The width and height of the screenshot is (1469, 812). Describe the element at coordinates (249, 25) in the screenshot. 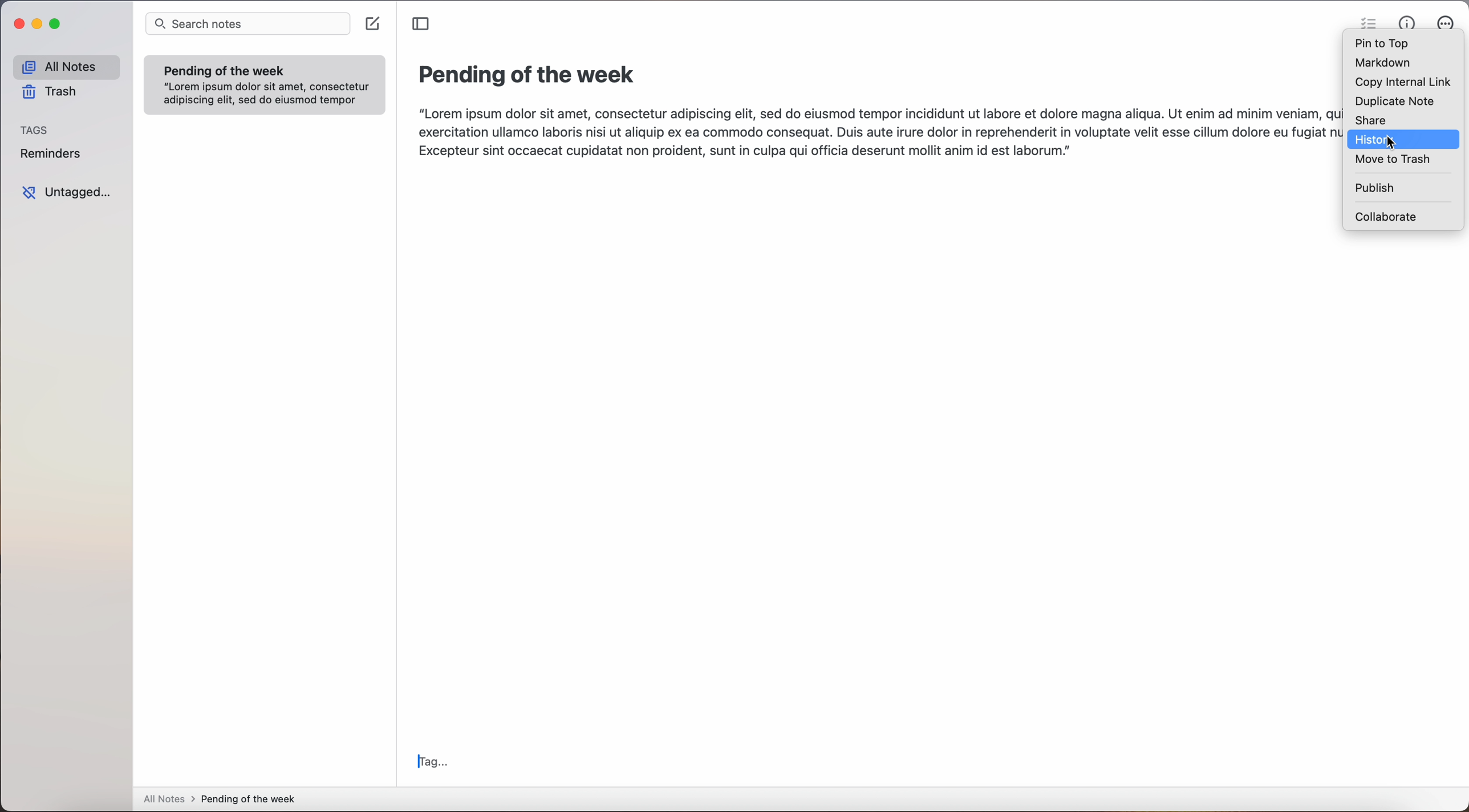

I see `search notes` at that location.